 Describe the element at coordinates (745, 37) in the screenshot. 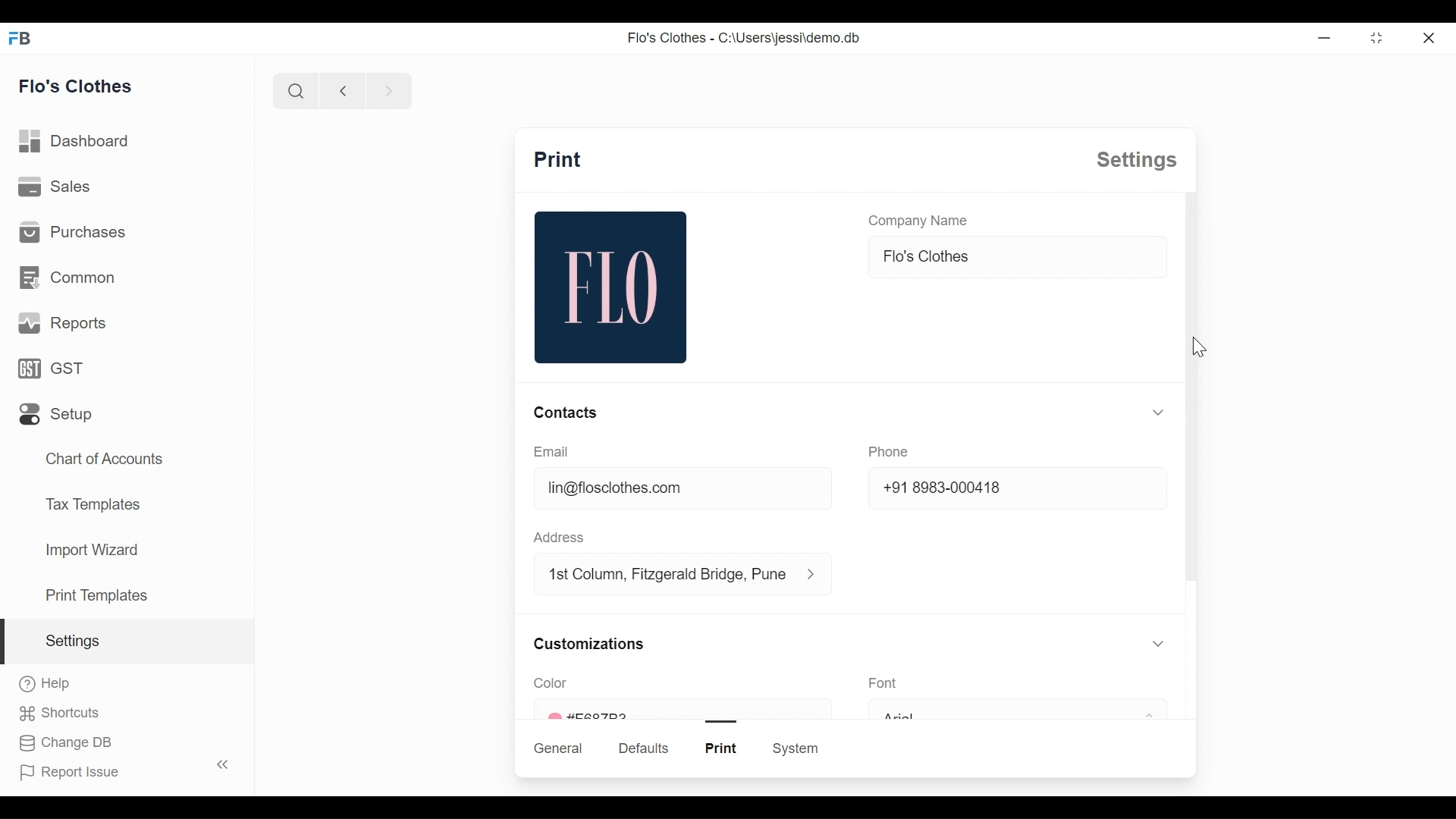

I see `Flo's Clothes - C:\Users\jessi\demo.db` at that location.